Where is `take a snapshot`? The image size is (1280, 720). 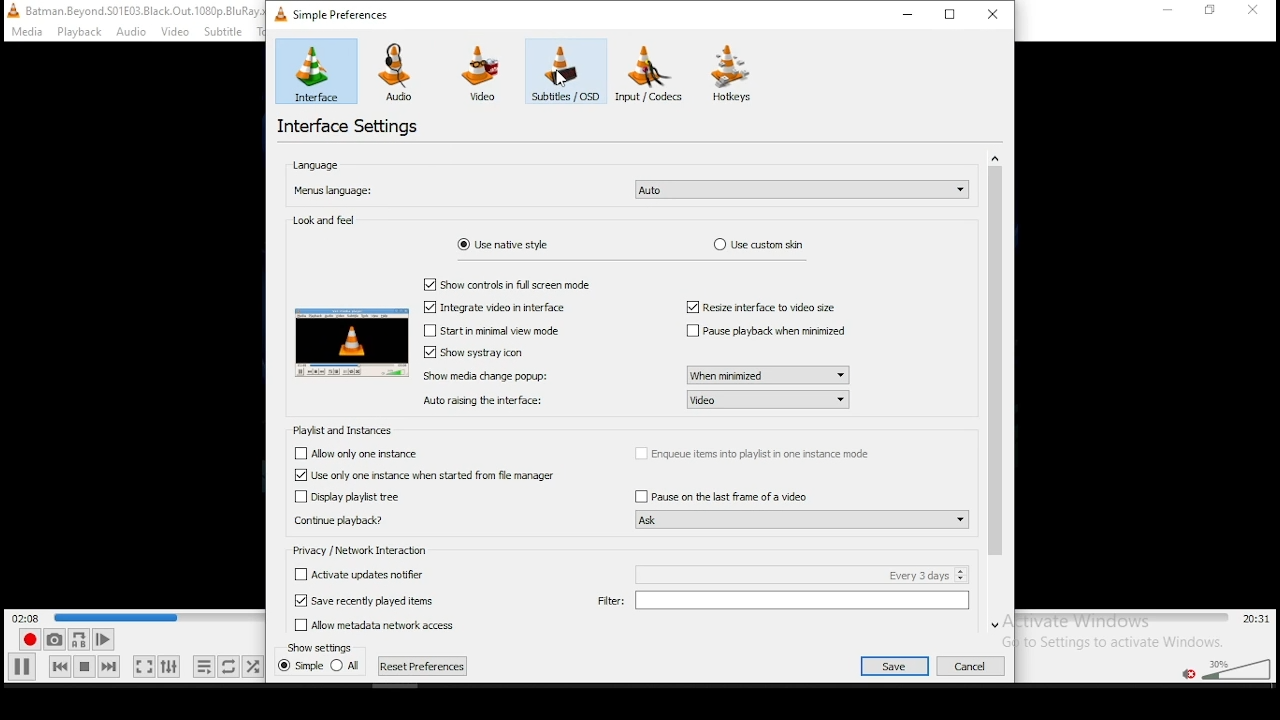
take a snapshot is located at coordinates (52, 640).